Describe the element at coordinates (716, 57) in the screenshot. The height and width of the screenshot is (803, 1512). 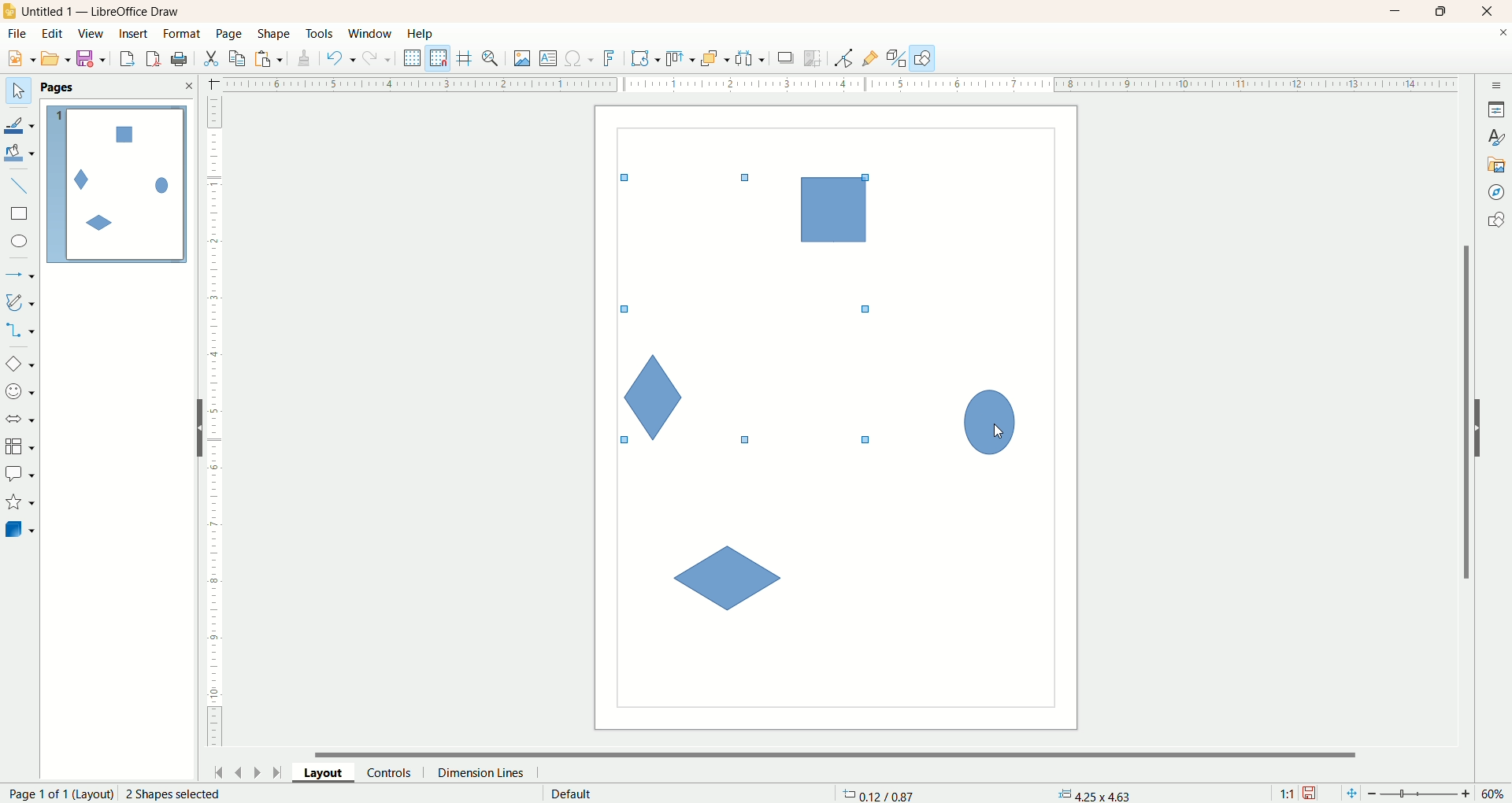
I see `arrange` at that location.